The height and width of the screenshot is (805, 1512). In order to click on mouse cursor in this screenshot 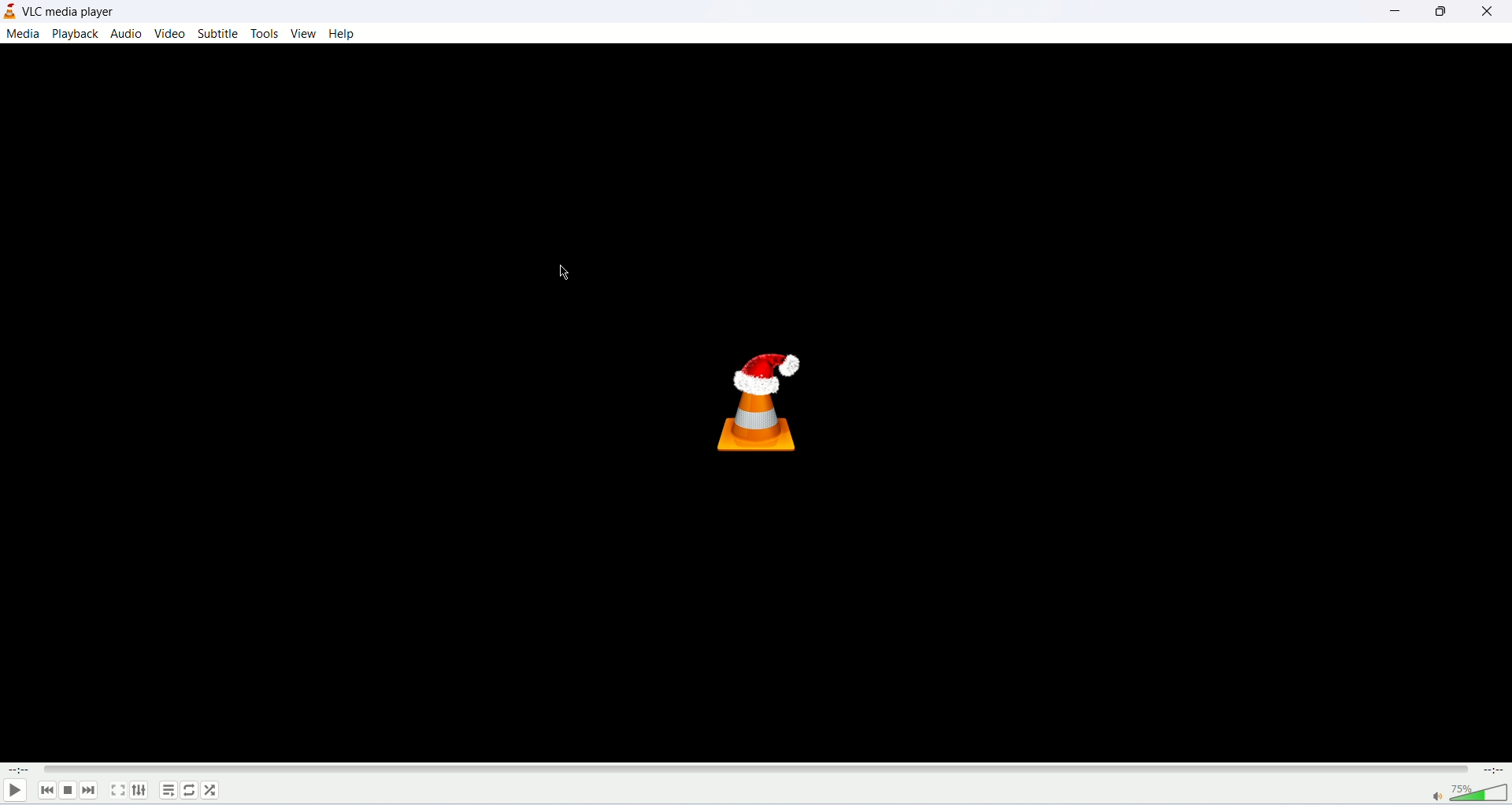, I will do `click(565, 271)`.